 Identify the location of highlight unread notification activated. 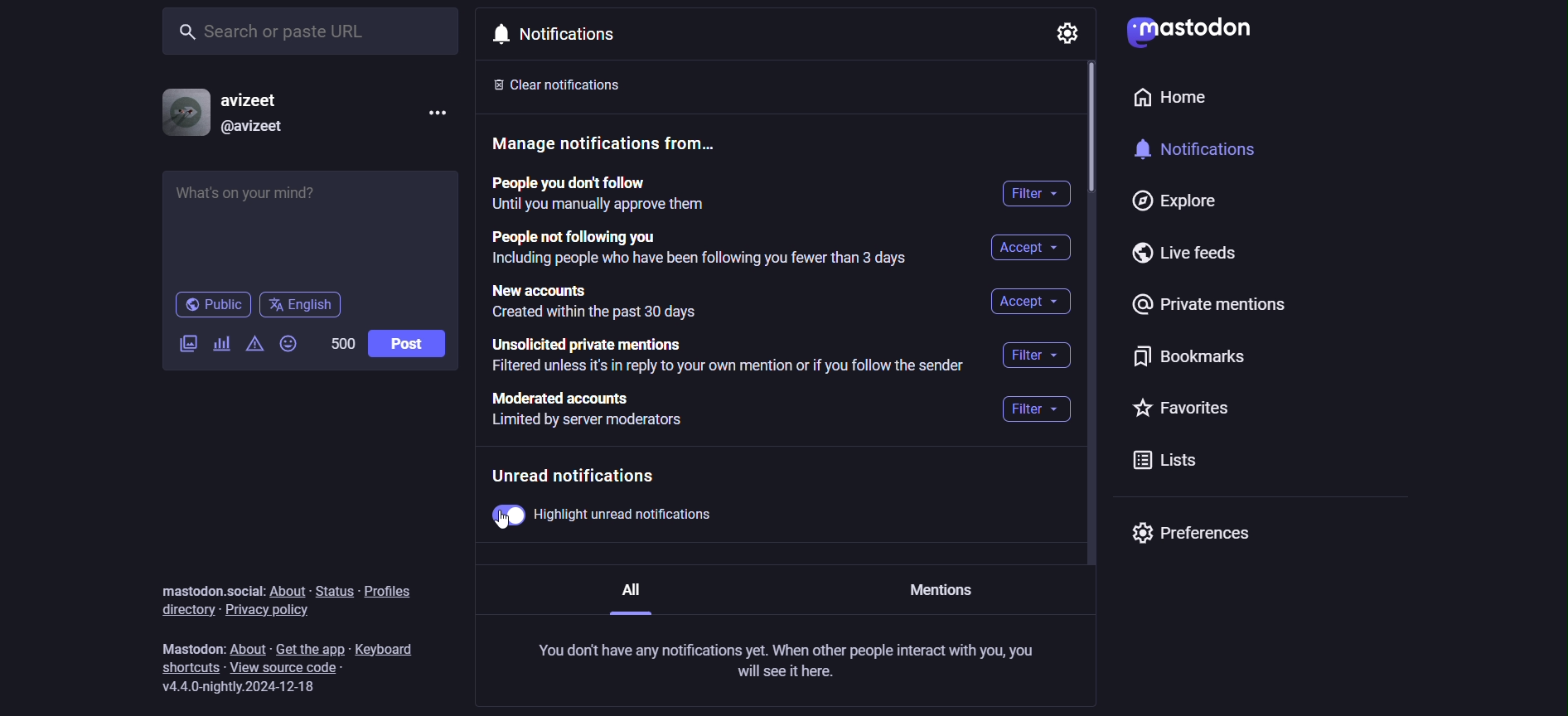
(598, 519).